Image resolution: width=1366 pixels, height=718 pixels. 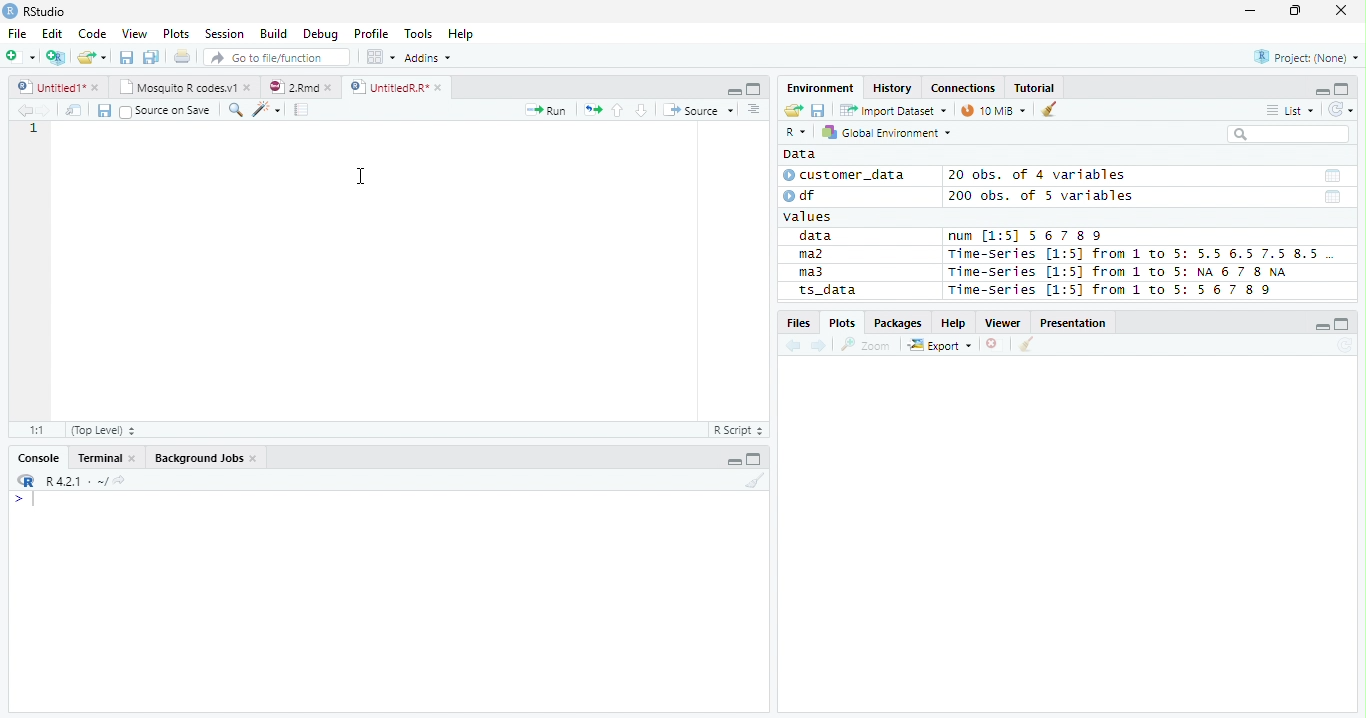 I want to click on Background jobs, so click(x=206, y=460).